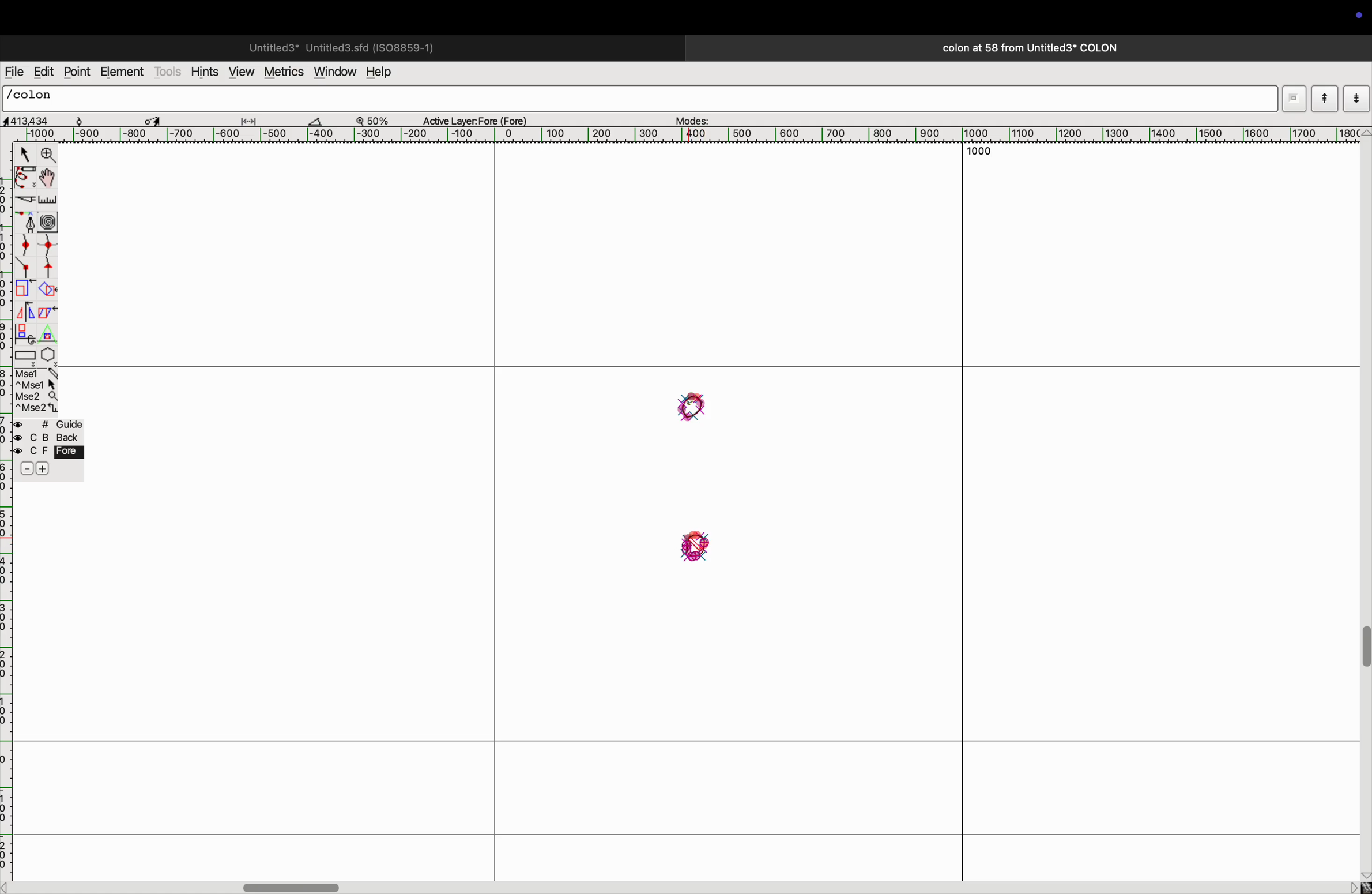 The width and height of the screenshot is (1372, 894). Describe the element at coordinates (31, 121) in the screenshot. I see `aspect ratio` at that location.